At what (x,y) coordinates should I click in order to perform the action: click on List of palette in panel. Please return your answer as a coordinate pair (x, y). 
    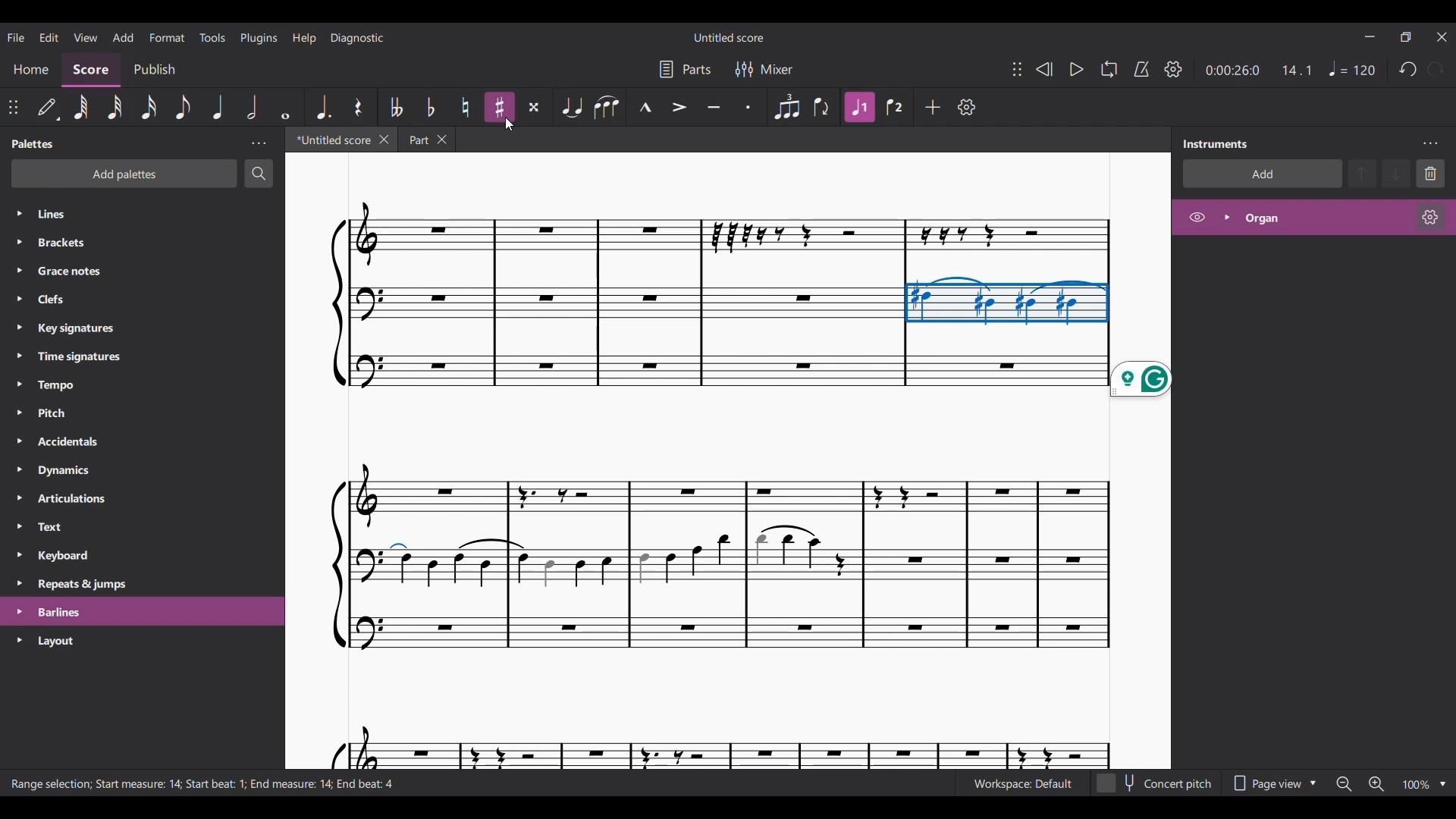
    Looking at the image, I should click on (158, 397).